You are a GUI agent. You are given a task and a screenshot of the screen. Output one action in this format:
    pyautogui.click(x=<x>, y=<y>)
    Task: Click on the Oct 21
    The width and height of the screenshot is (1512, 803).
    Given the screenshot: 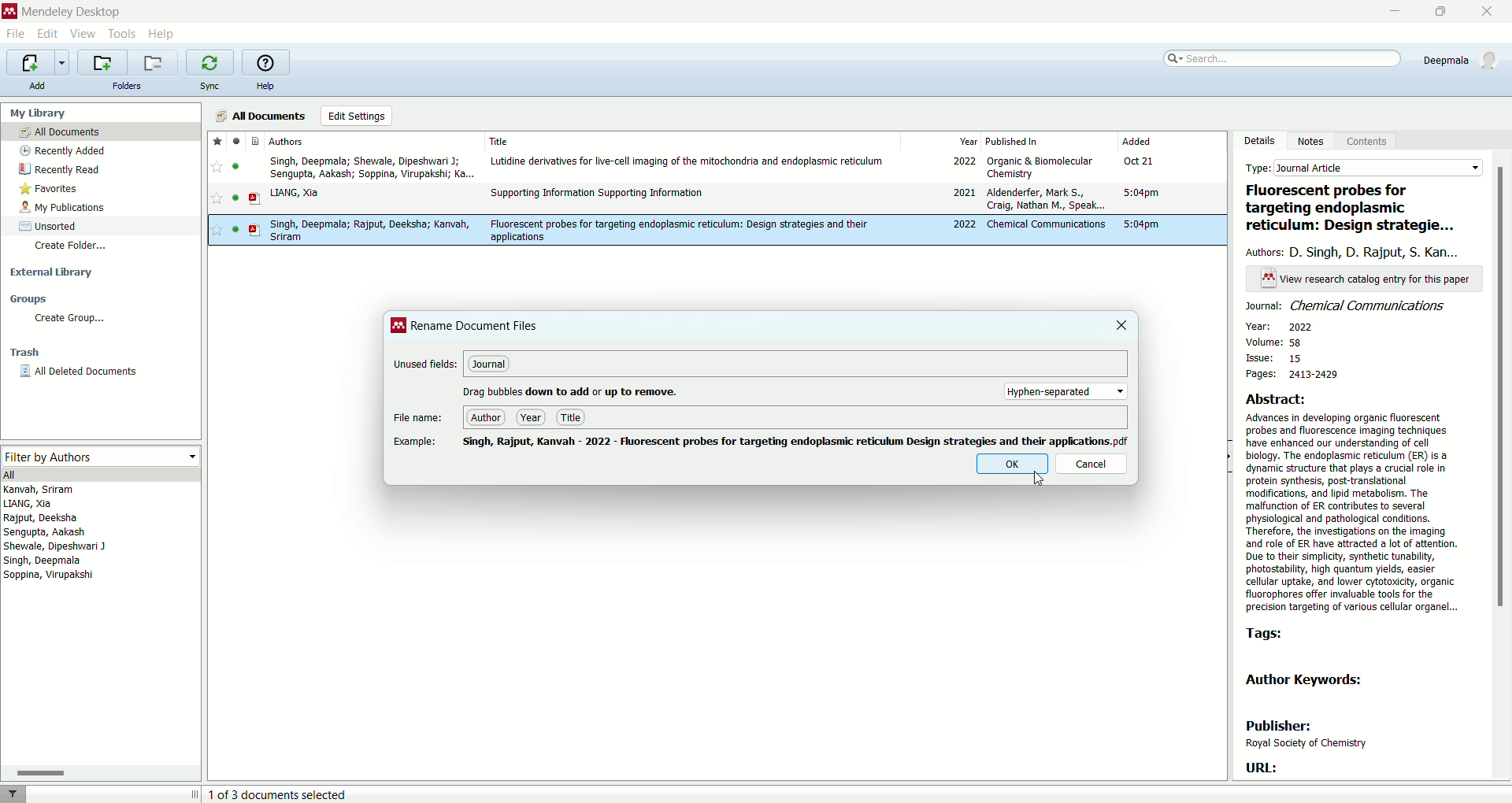 What is the action you would take?
    pyautogui.click(x=1142, y=162)
    